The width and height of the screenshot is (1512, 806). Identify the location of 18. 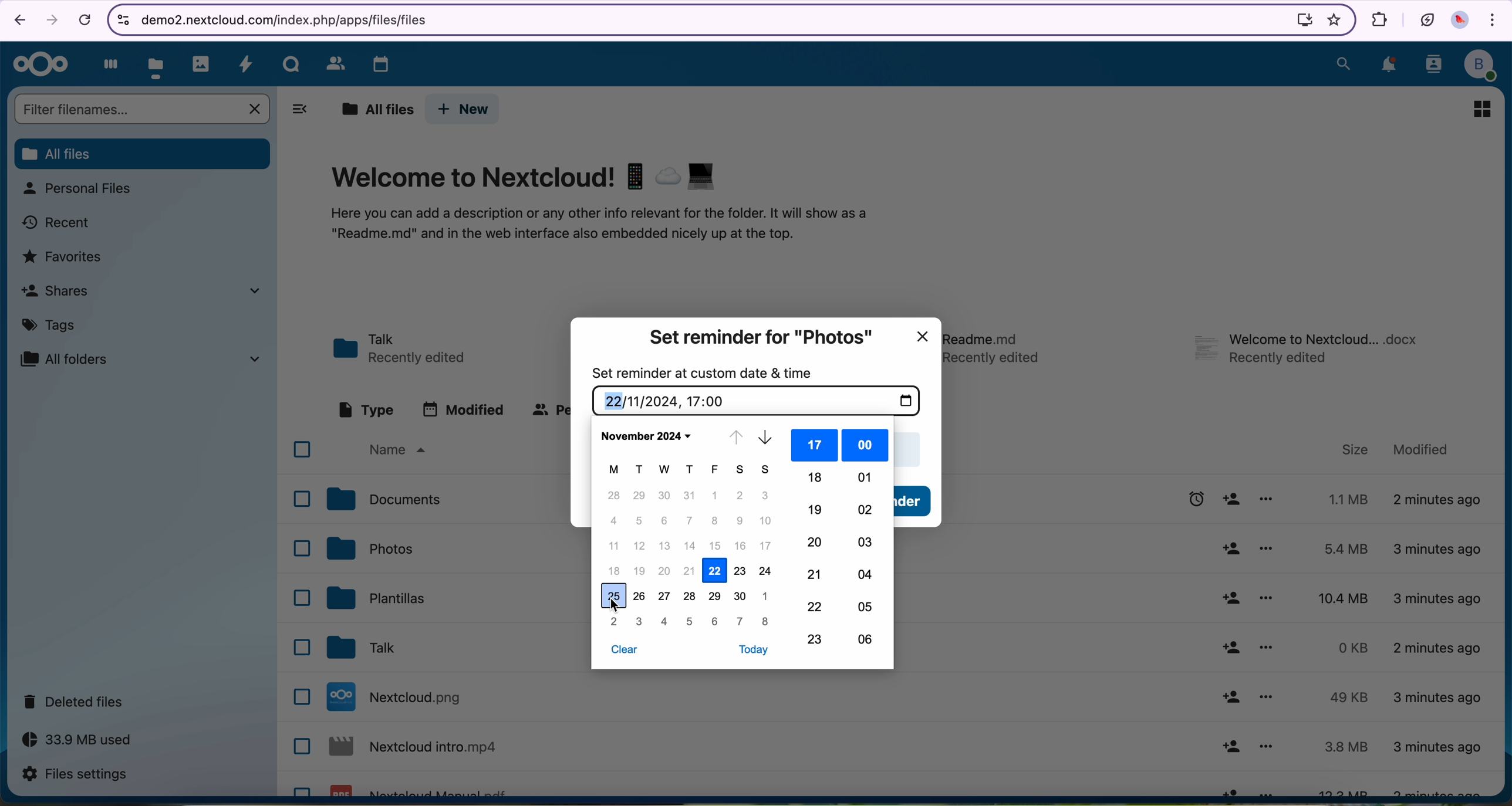
(616, 570).